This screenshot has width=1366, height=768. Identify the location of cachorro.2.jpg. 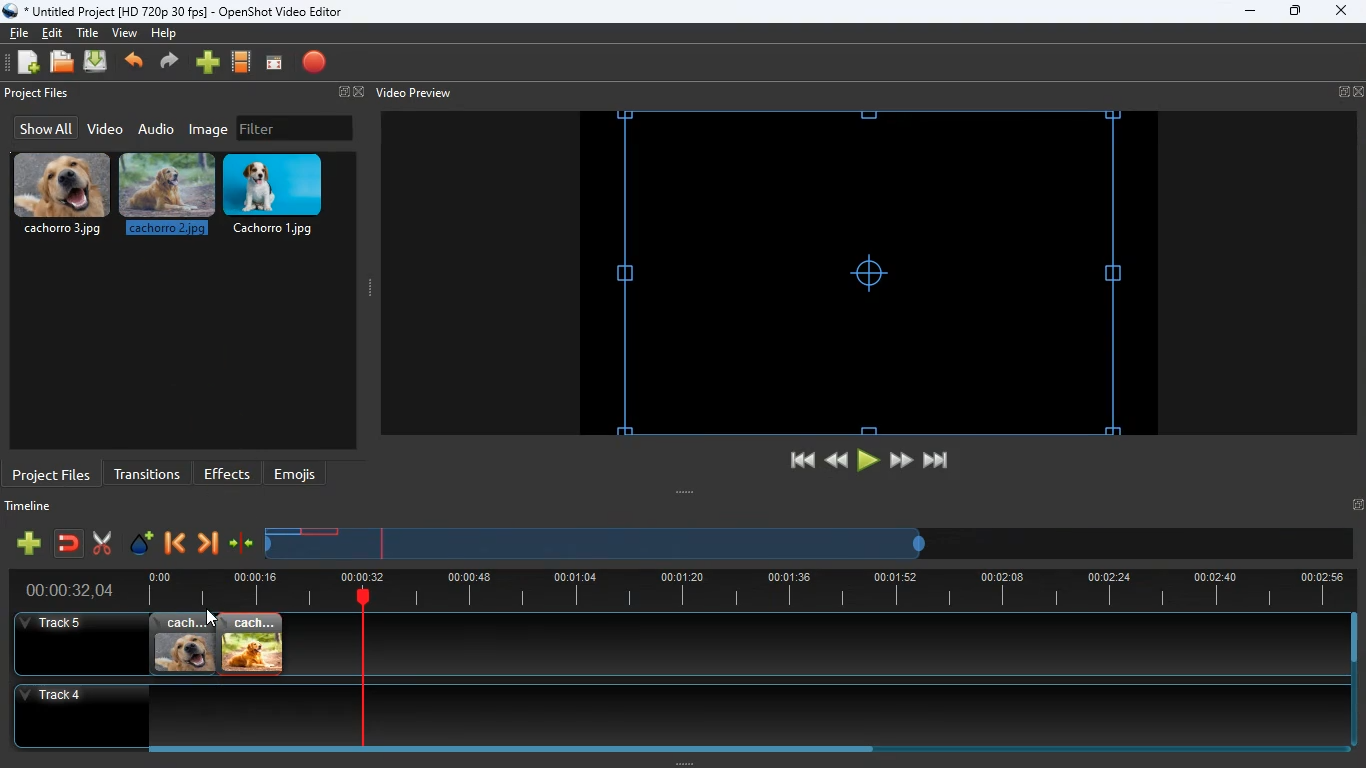
(252, 644).